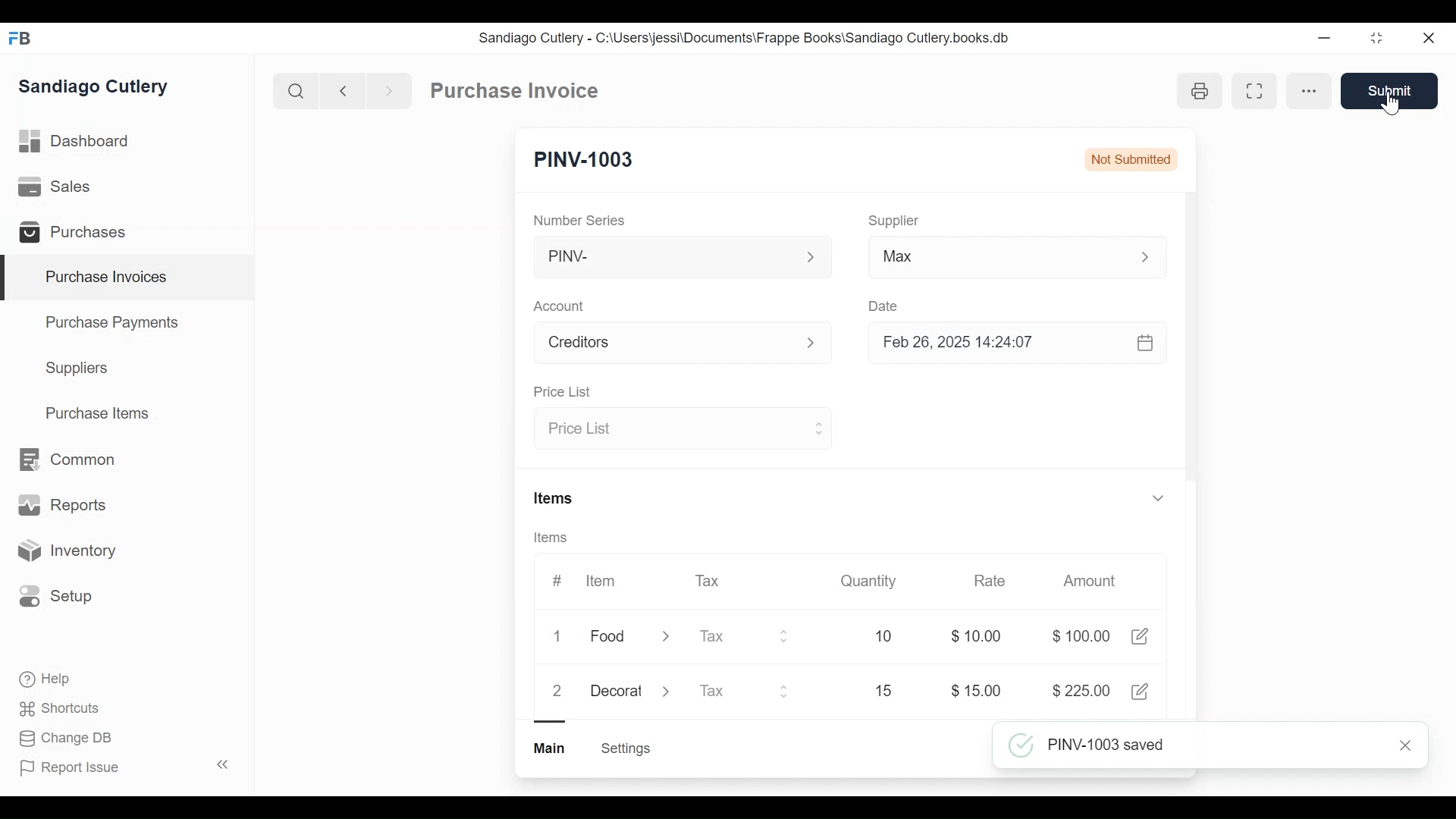 The height and width of the screenshot is (819, 1456). What do you see at coordinates (1321, 39) in the screenshot?
I see `Minimize` at bounding box center [1321, 39].